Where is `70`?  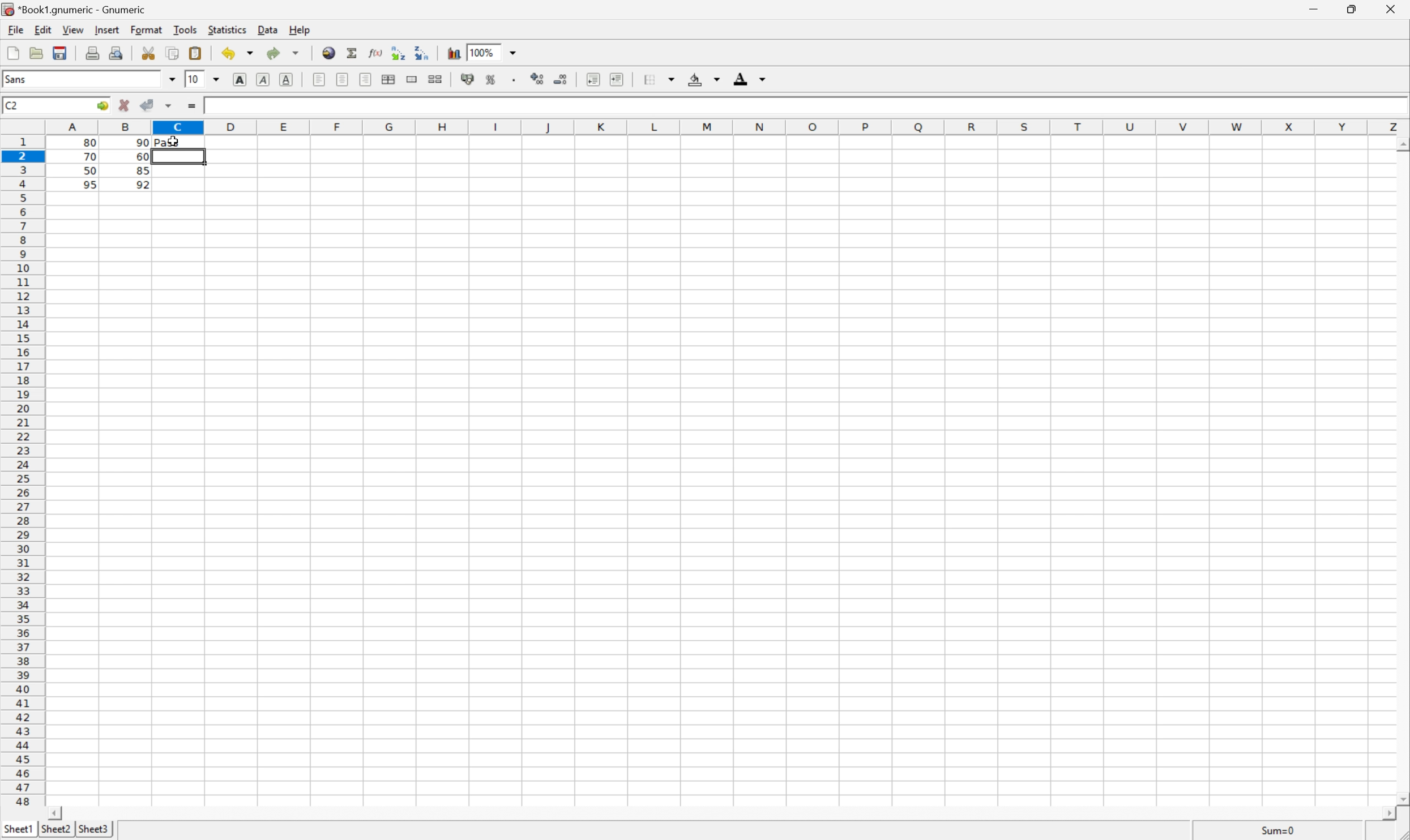
70 is located at coordinates (91, 158).